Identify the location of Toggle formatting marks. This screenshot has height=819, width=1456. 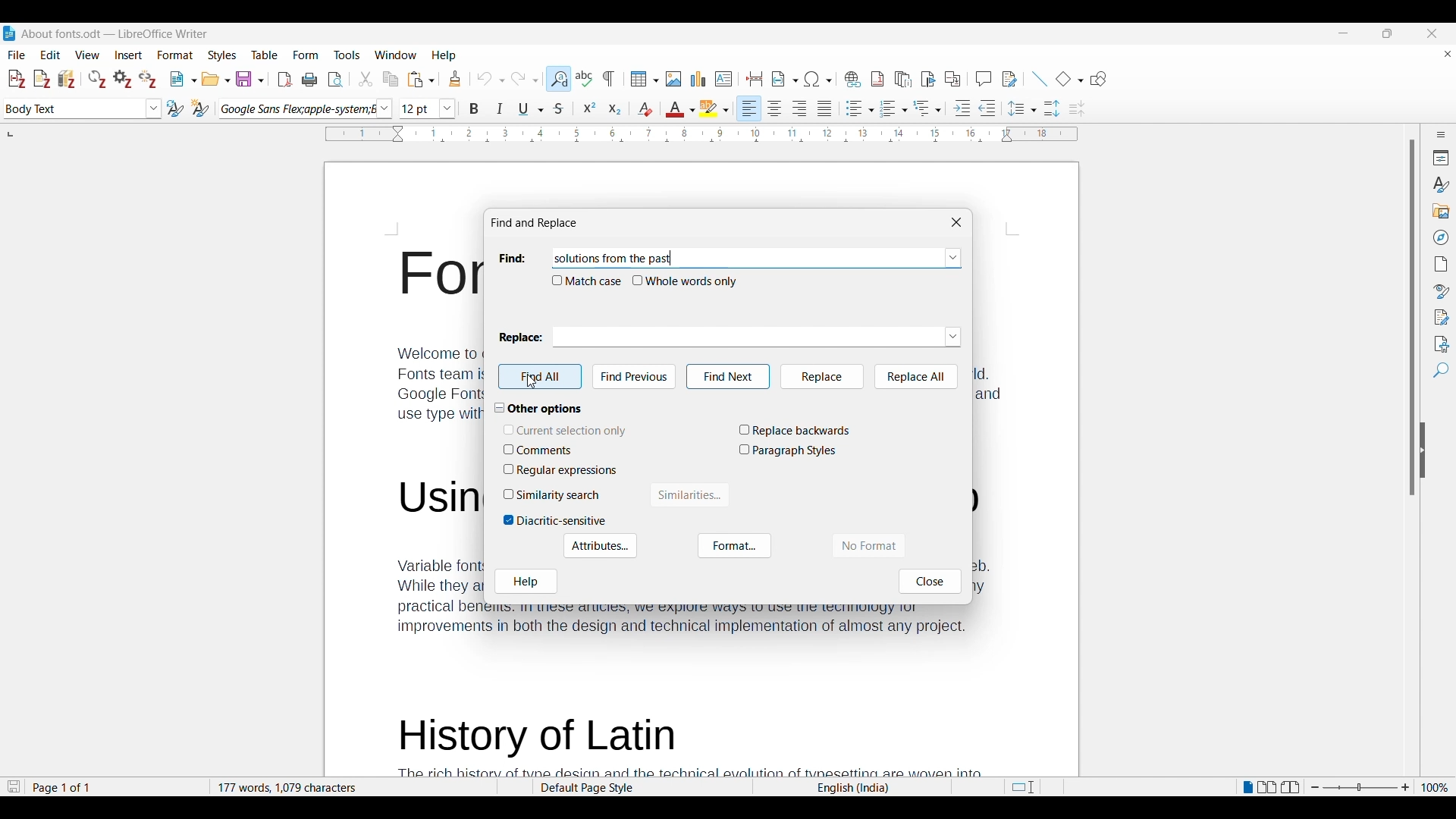
(610, 79).